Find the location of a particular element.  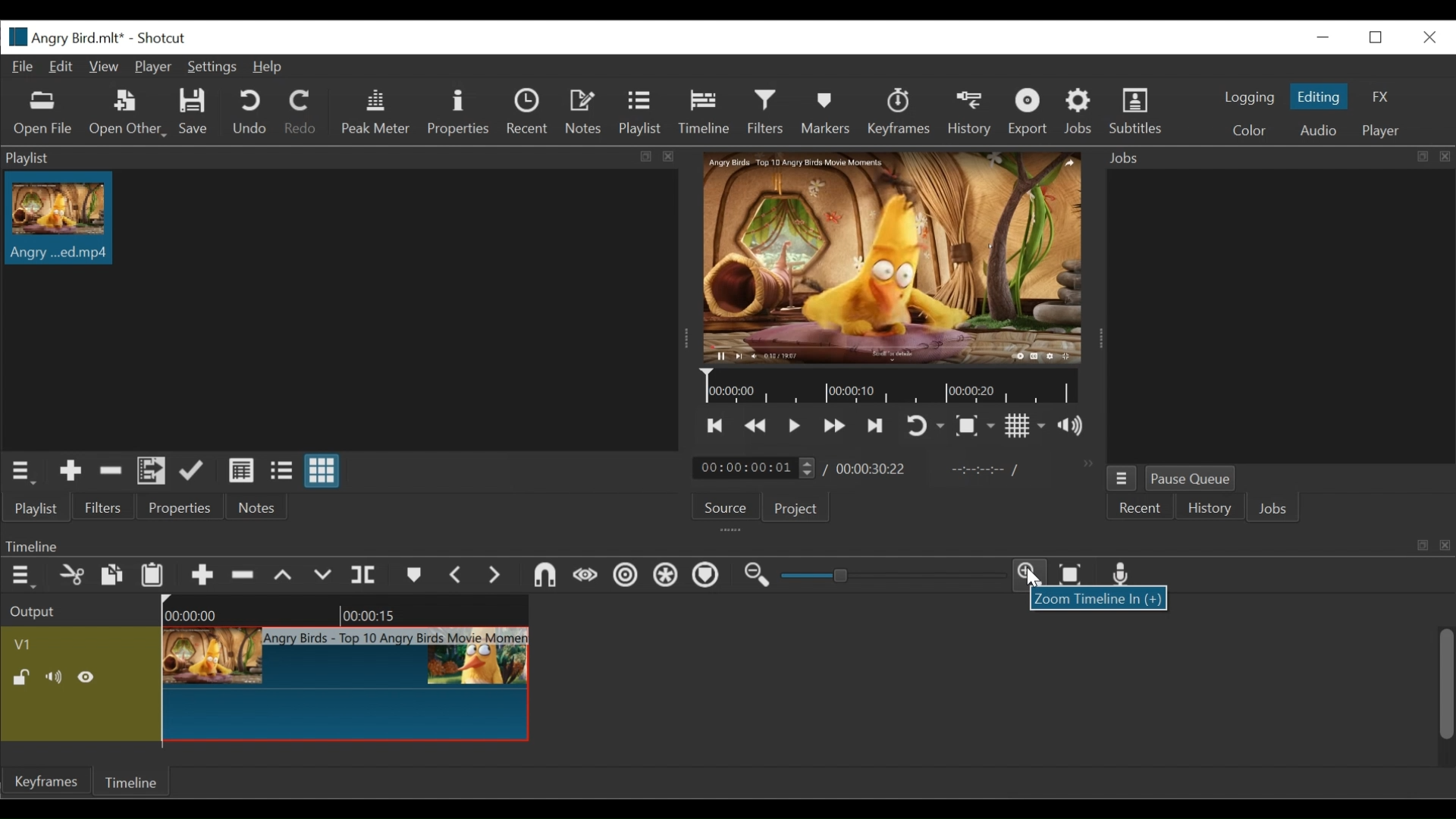

Jobs Panel is located at coordinates (1276, 313).